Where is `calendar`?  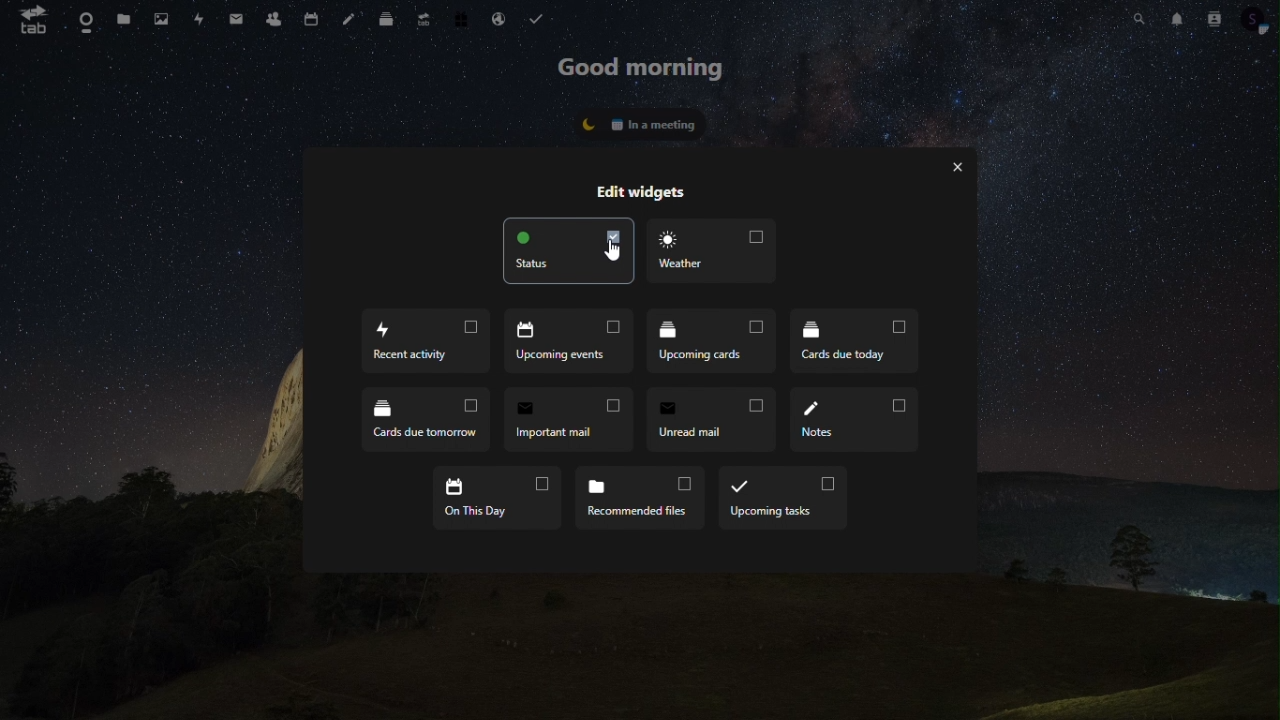
calendar is located at coordinates (309, 20).